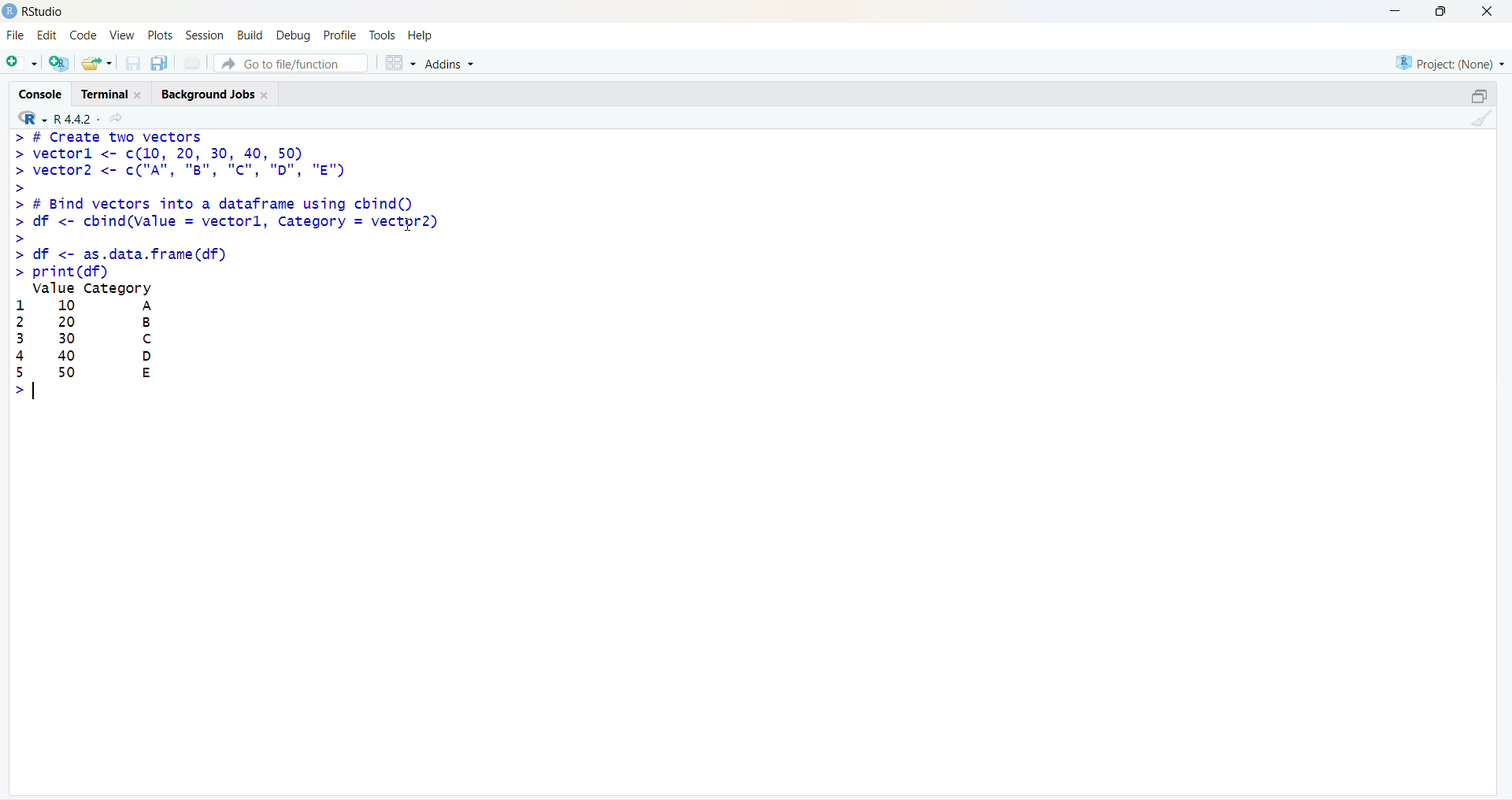 This screenshot has height=800, width=1512. I want to click on save all open document, so click(161, 64).